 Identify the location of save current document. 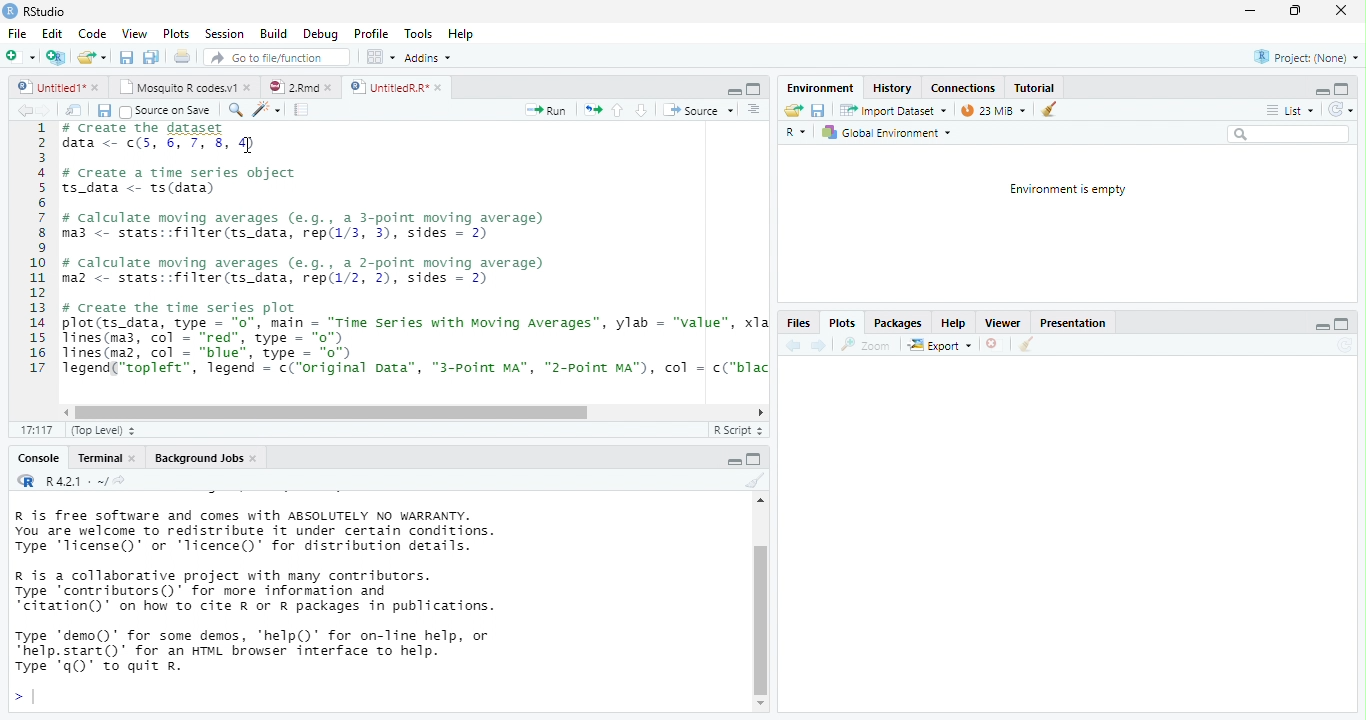
(819, 111).